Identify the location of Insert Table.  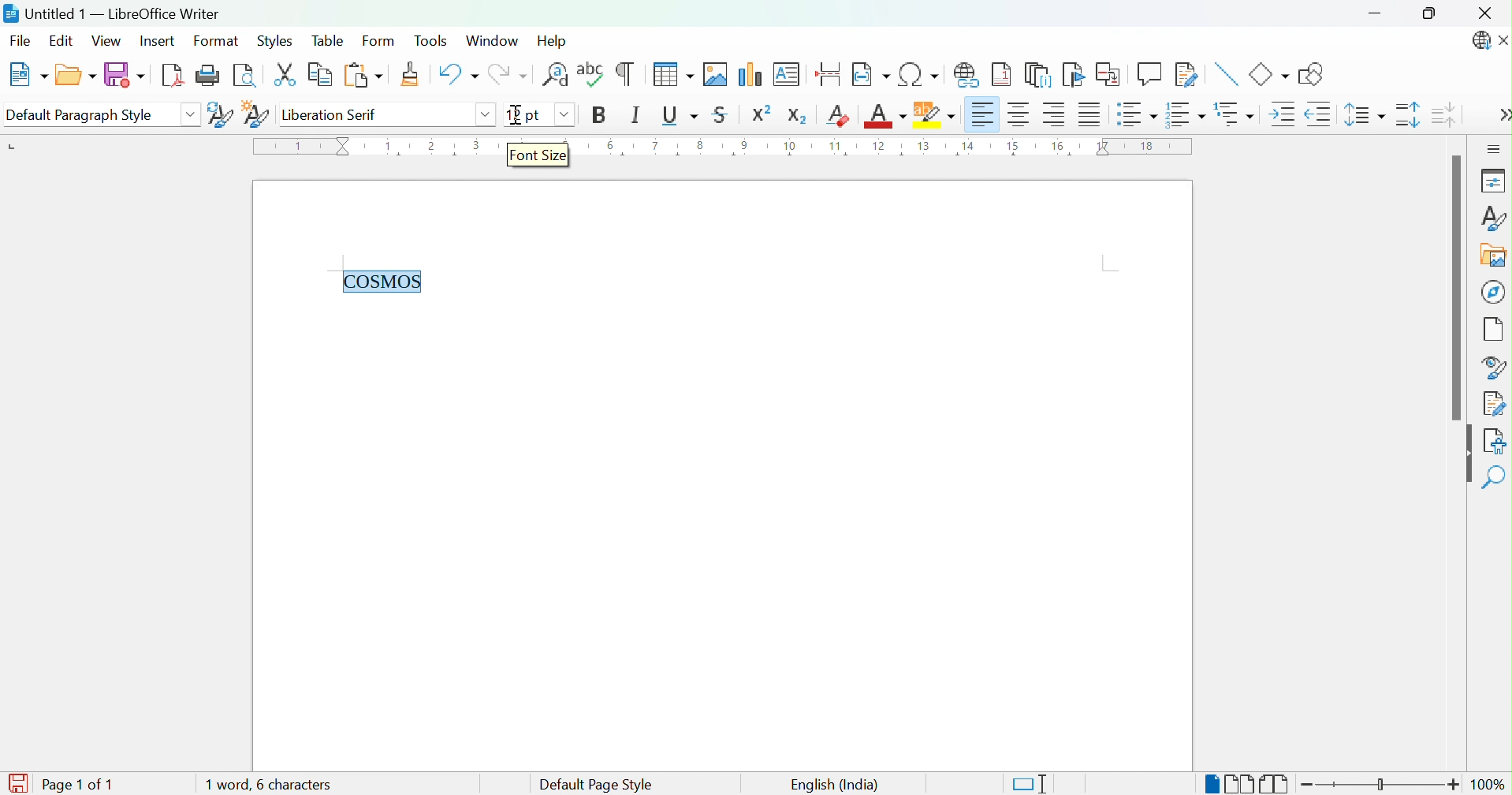
(669, 74).